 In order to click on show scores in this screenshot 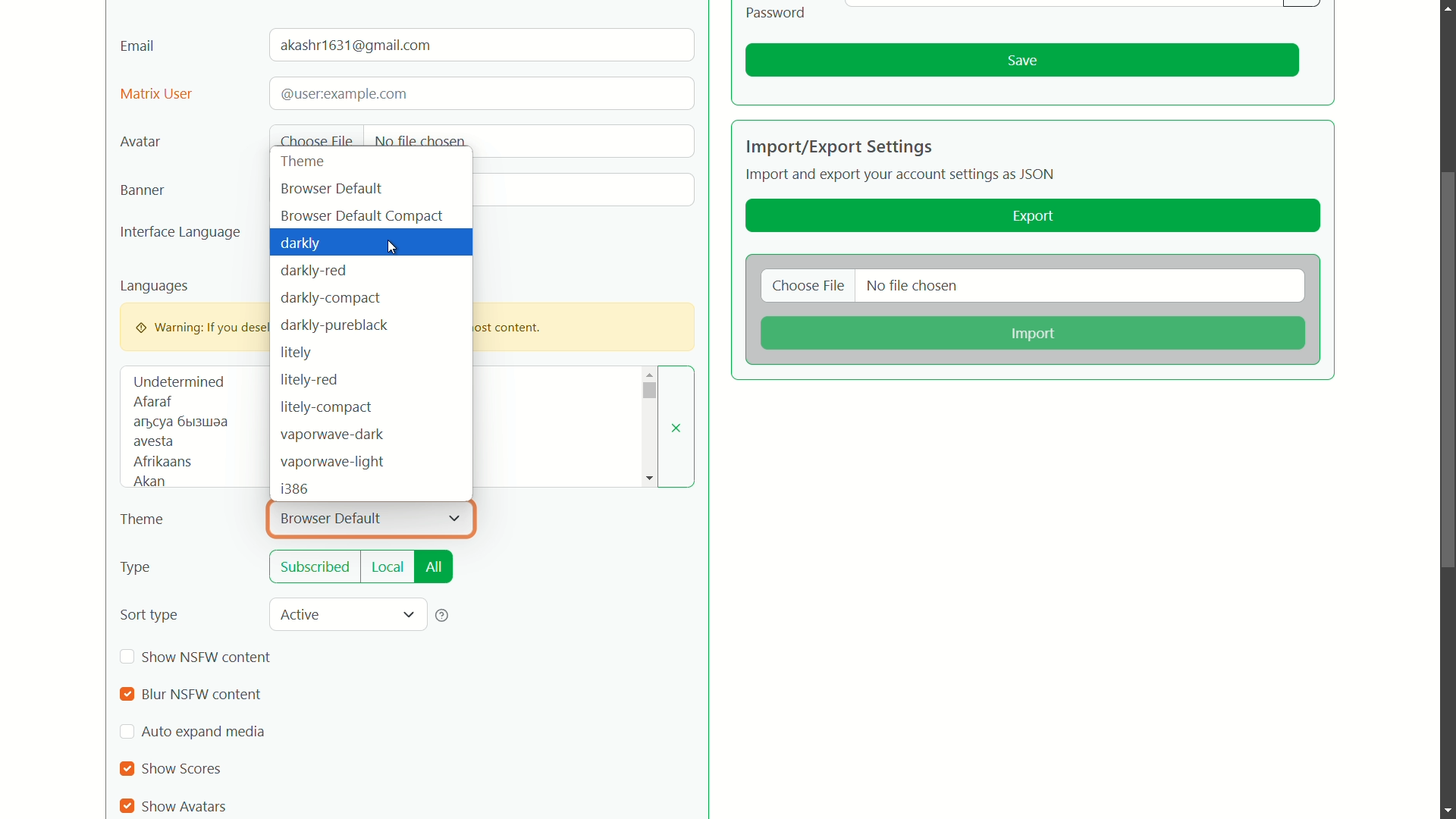, I will do `click(184, 769)`.